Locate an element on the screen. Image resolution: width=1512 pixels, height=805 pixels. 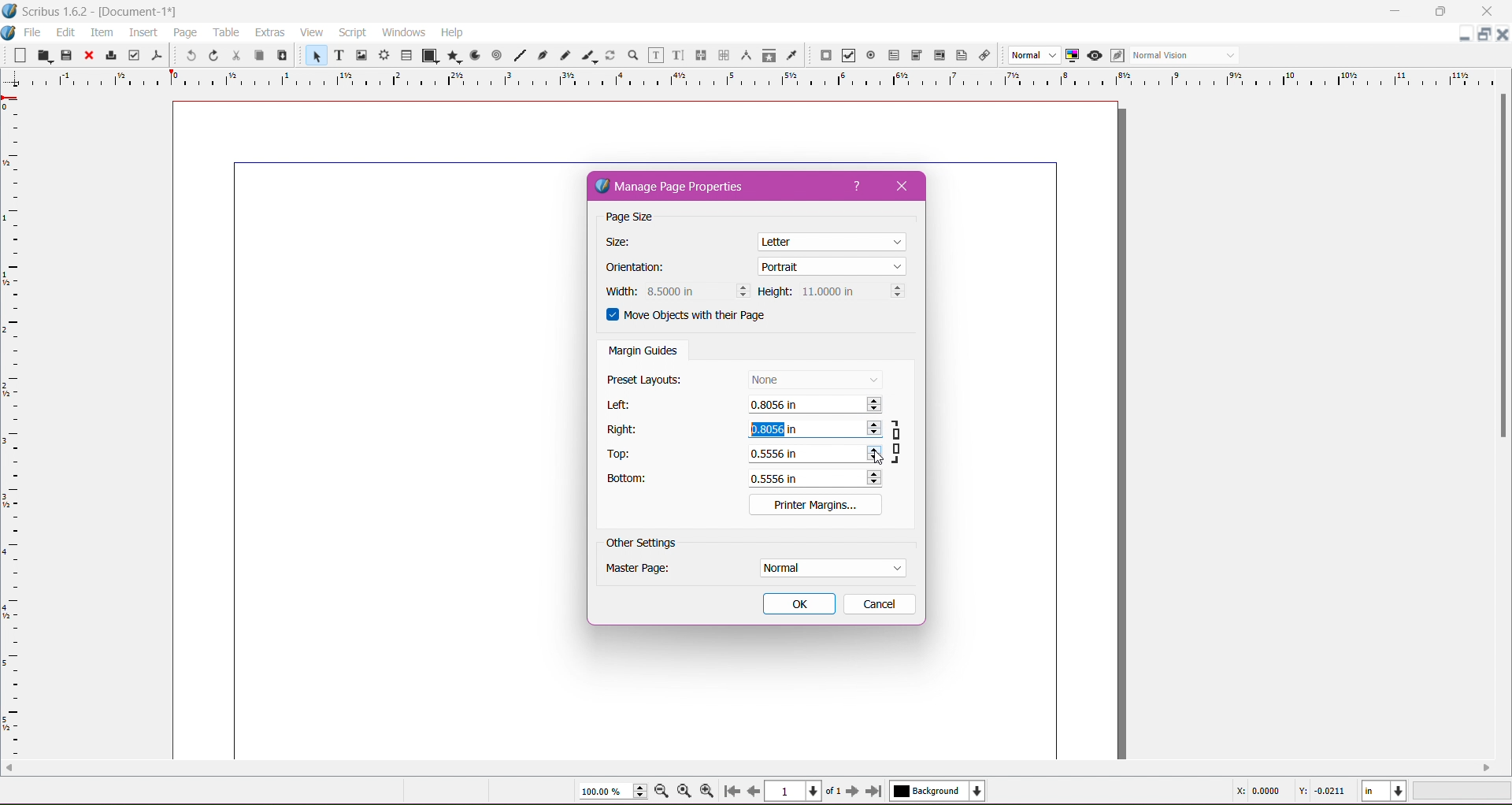
Select the current layer is located at coordinates (935, 792).